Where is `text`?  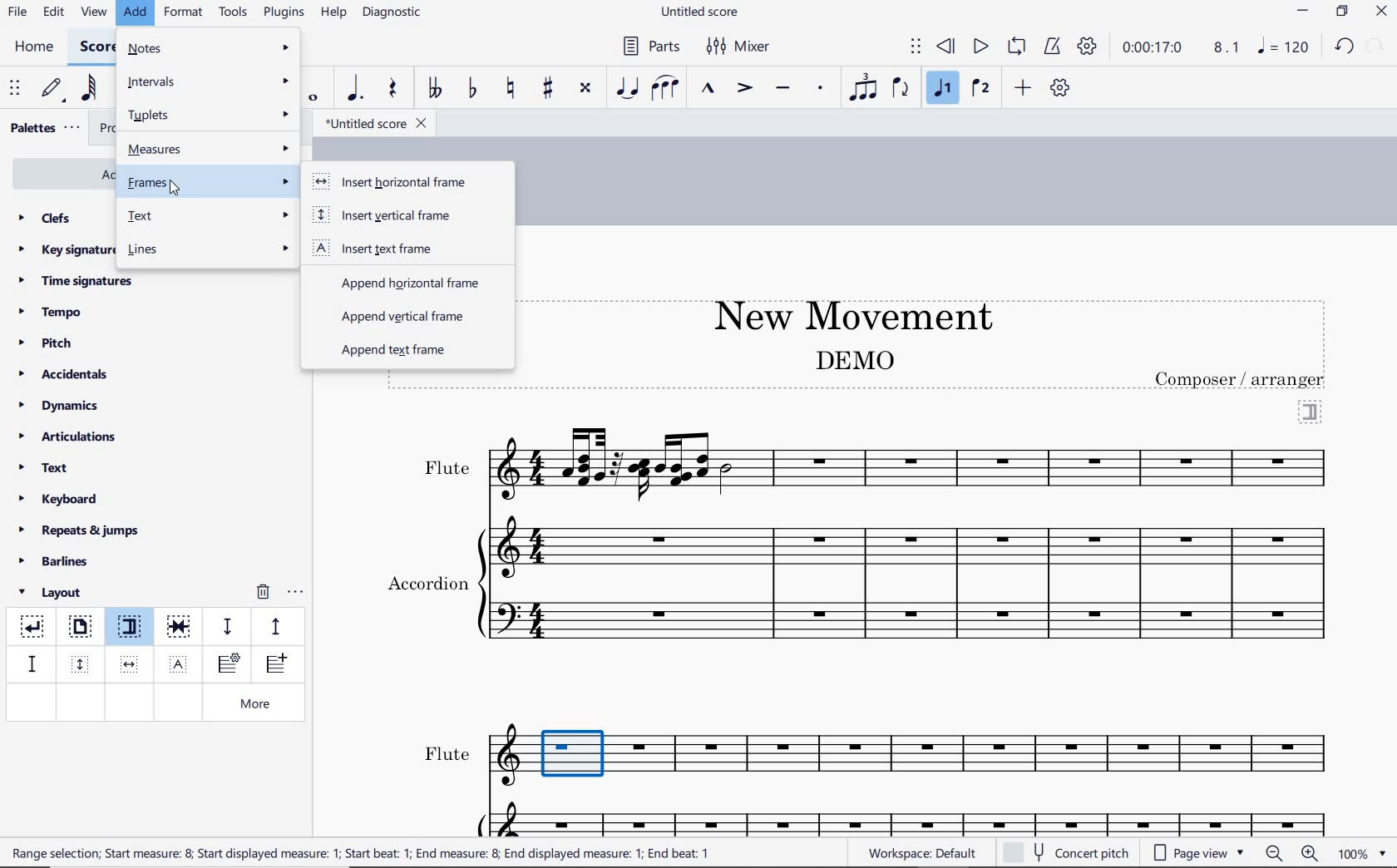 text is located at coordinates (45, 470).